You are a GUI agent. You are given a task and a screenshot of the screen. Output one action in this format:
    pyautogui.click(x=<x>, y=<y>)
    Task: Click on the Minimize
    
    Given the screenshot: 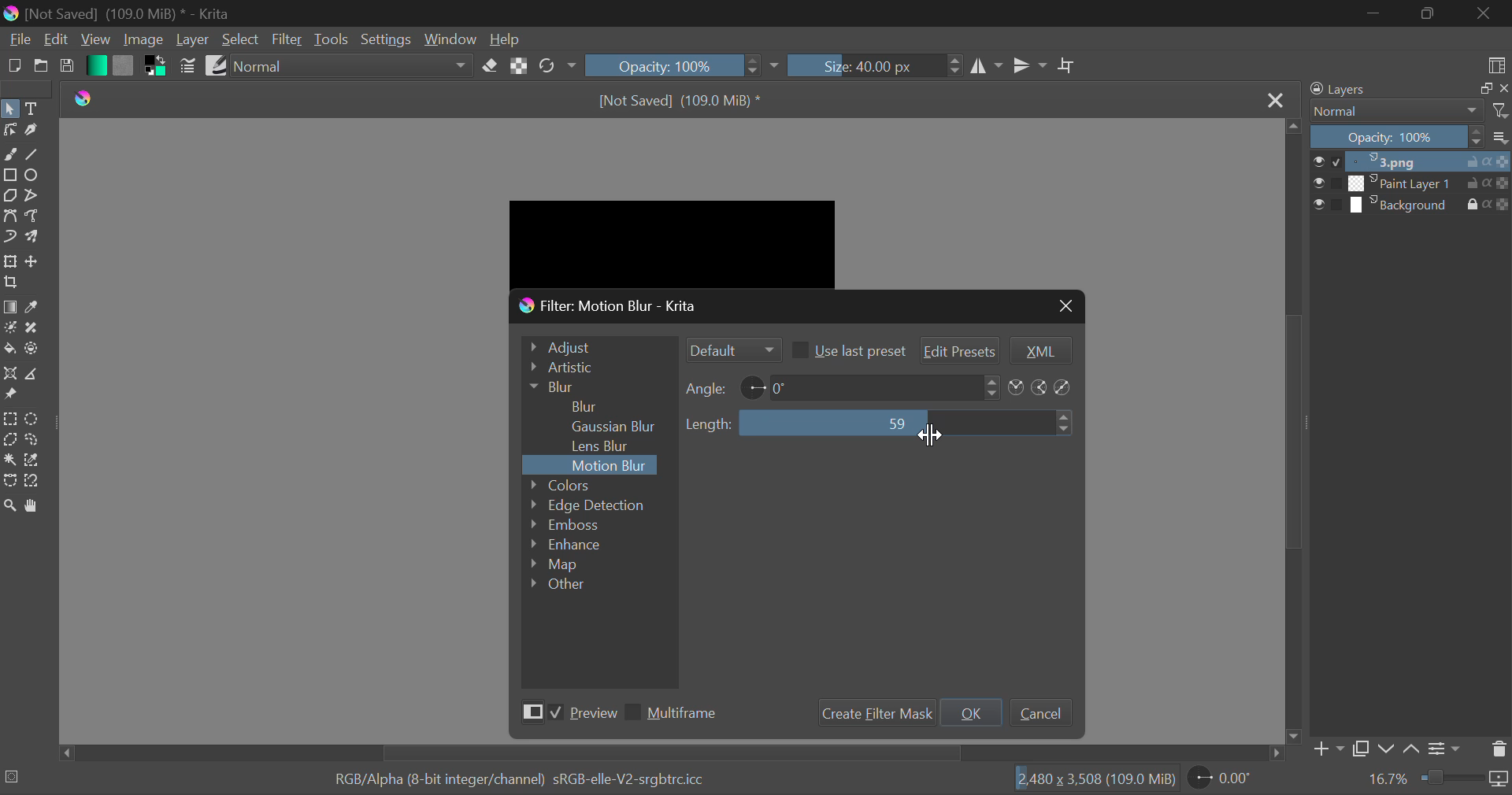 What is the action you would take?
    pyautogui.click(x=1427, y=13)
    